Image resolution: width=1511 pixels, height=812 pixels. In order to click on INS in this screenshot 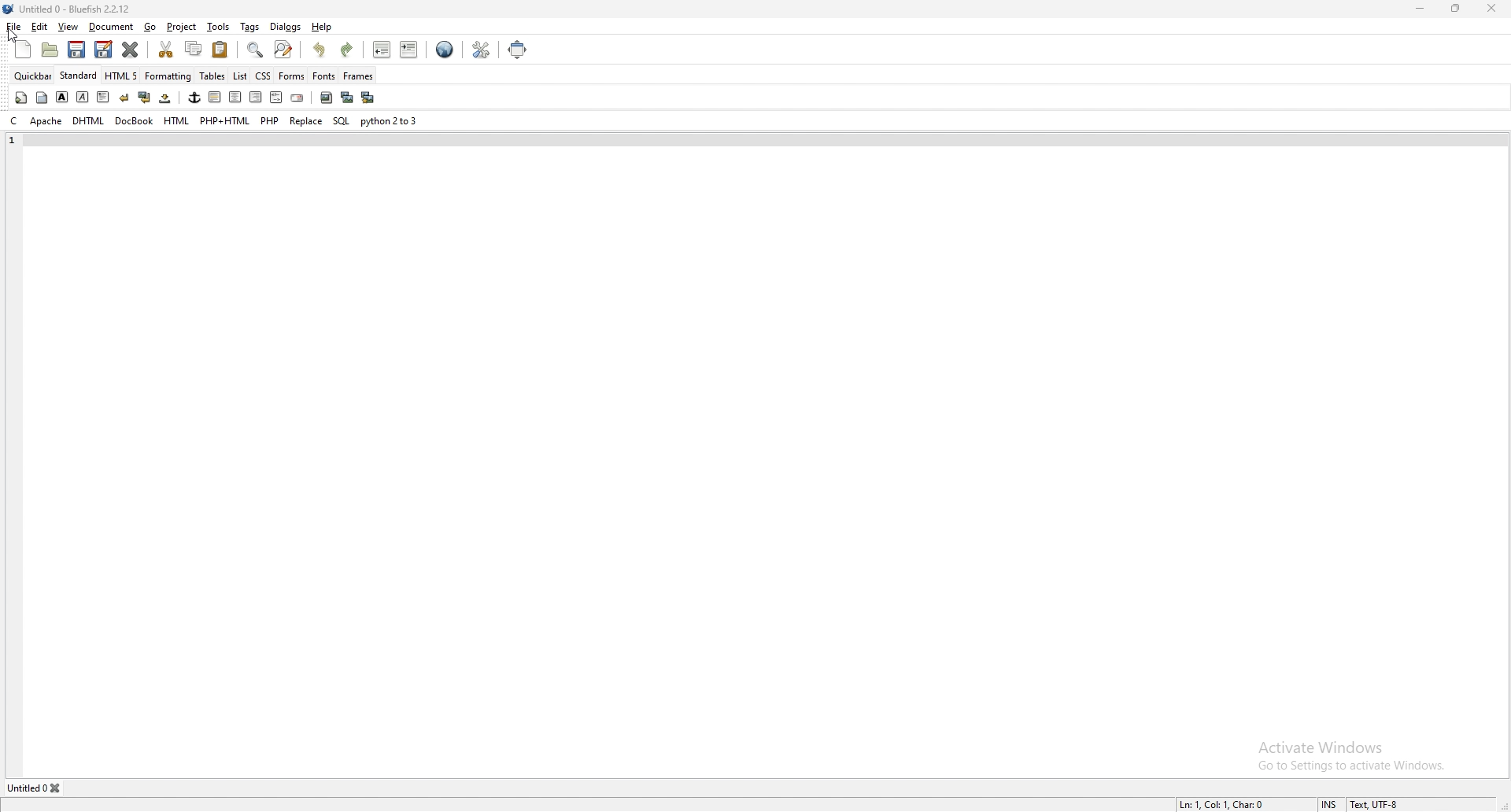, I will do `click(1329, 804)`.